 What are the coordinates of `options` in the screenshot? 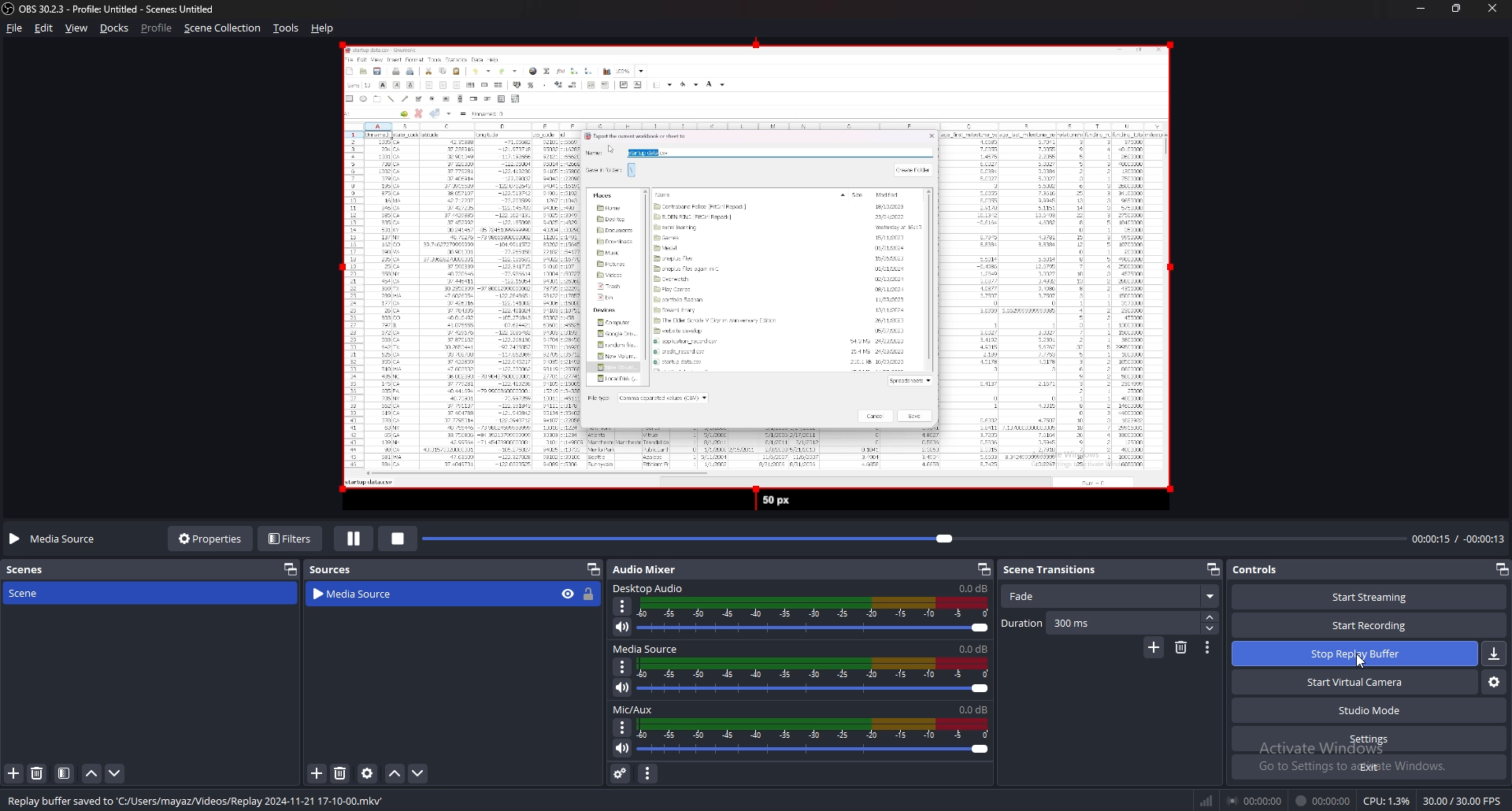 It's located at (624, 606).